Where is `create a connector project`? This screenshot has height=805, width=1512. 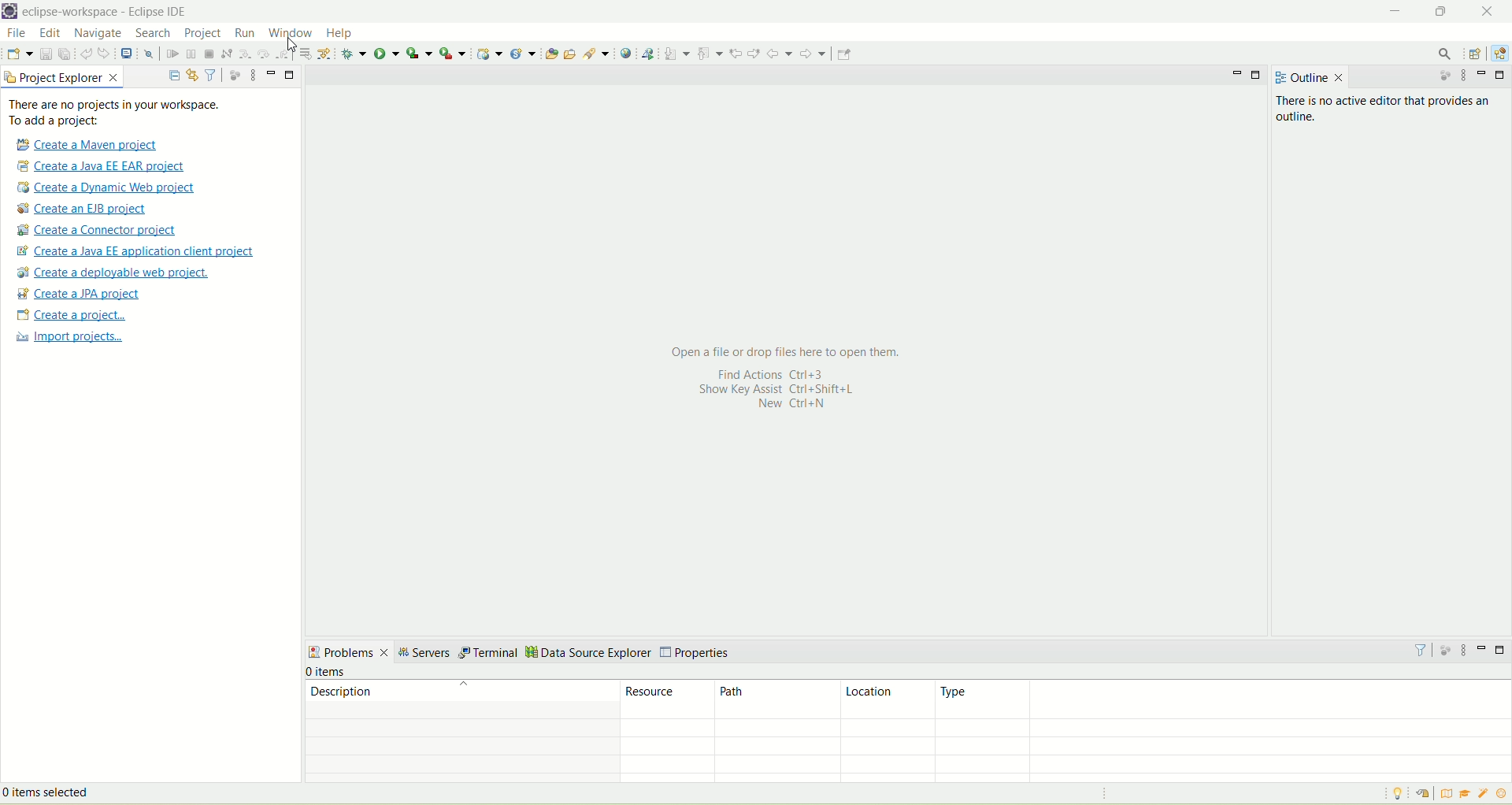 create a connector project is located at coordinates (97, 232).